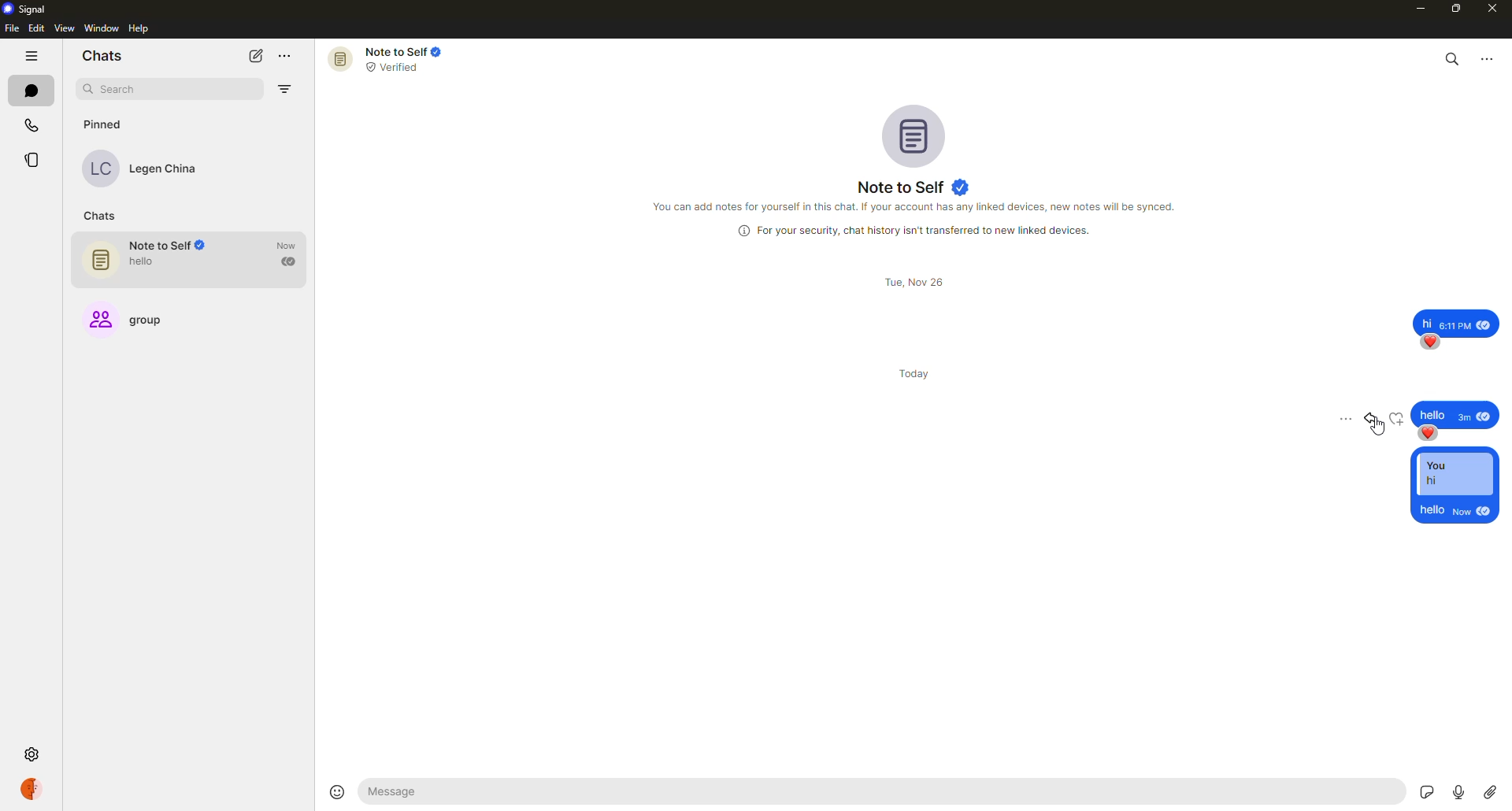 Image resolution: width=1512 pixels, height=811 pixels. What do you see at coordinates (1457, 321) in the screenshot?
I see `message` at bounding box center [1457, 321].